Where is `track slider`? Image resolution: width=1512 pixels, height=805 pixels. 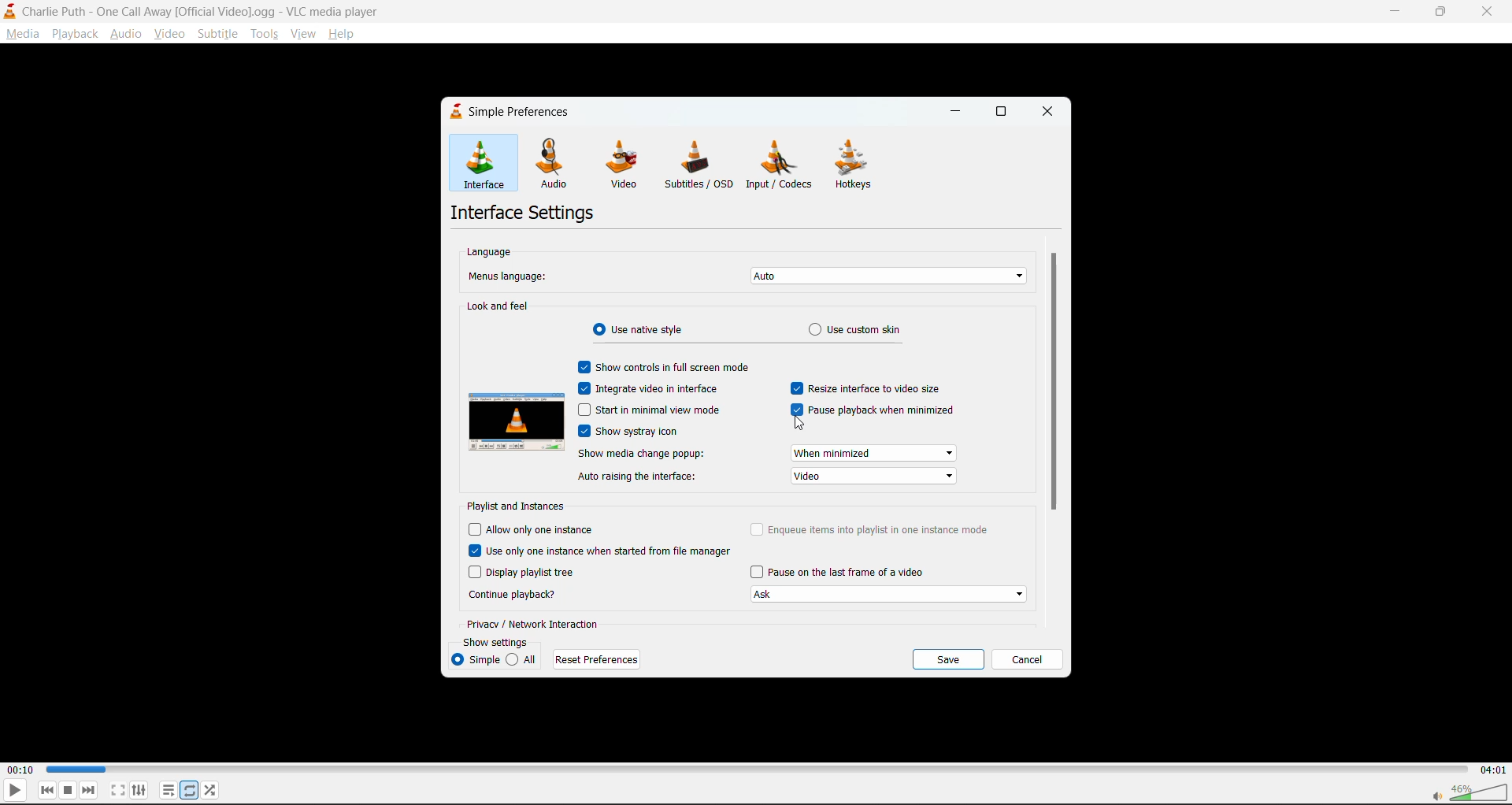
track slider is located at coordinates (750, 770).